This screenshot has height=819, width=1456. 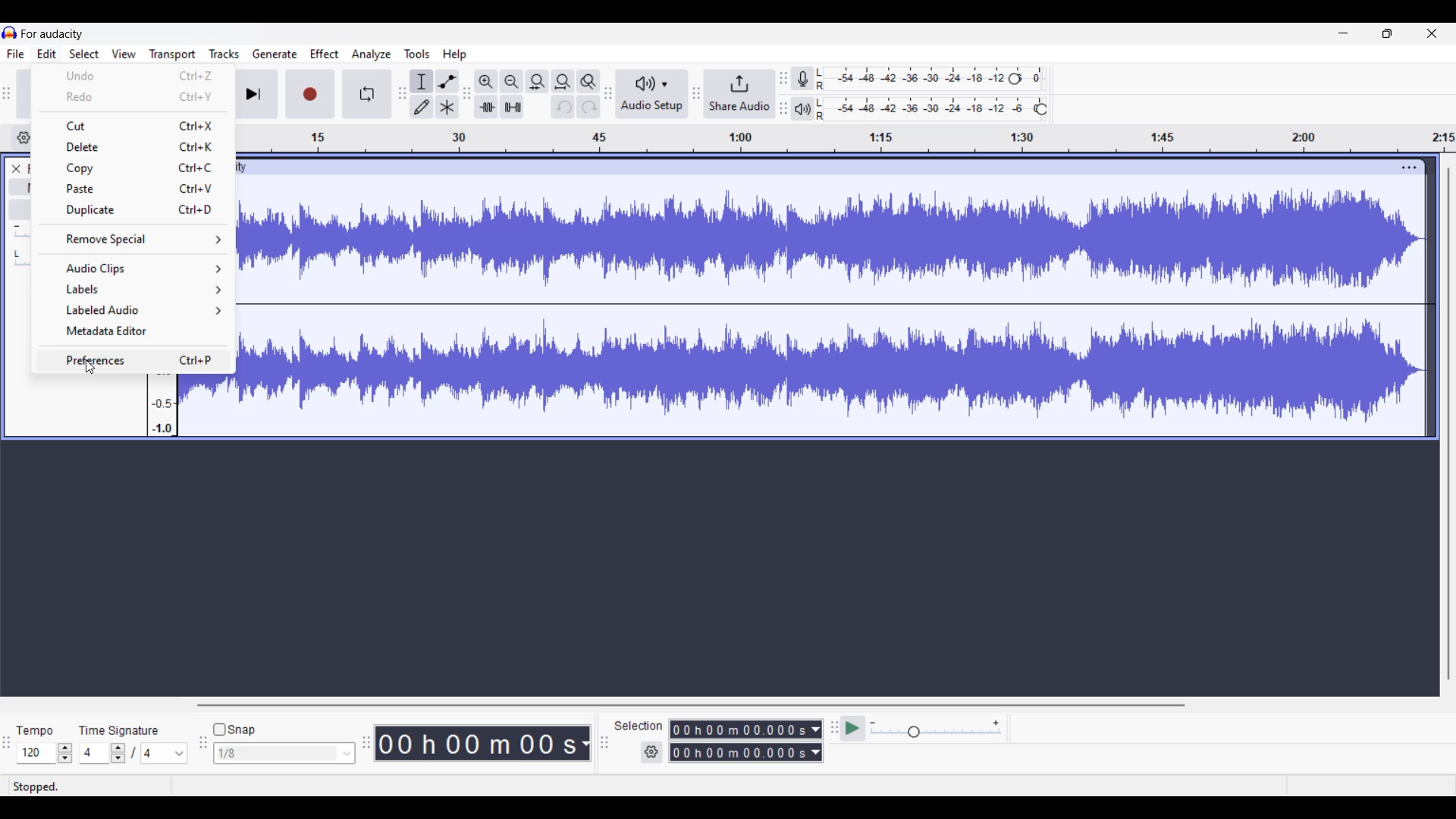 What do you see at coordinates (310, 94) in the screenshot?
I see `Record/Record new track` at bounding box center [310, 94].